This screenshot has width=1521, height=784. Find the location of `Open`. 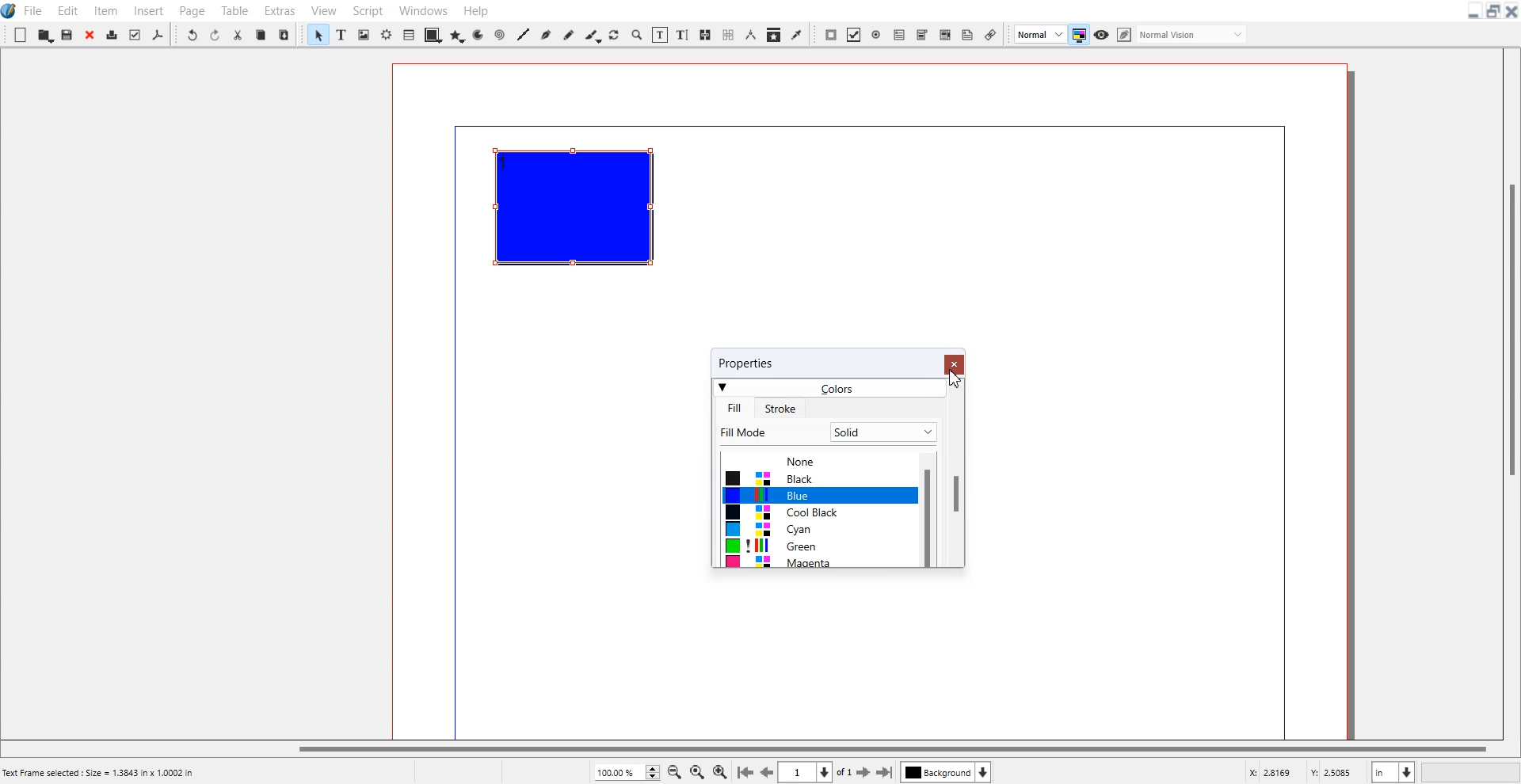

Open is located at coordinates (45, 35).